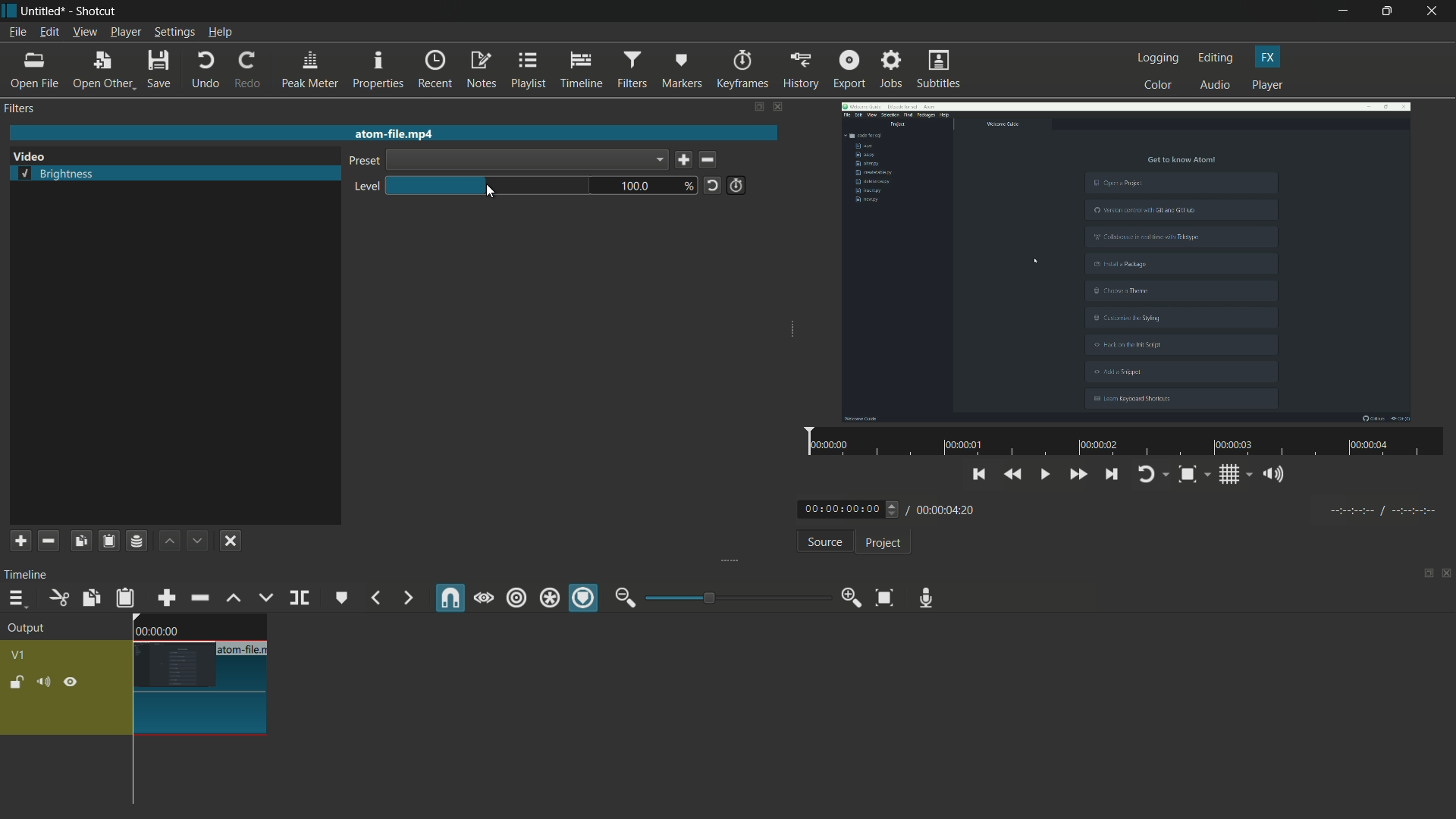 This screenshot has width=1456, height=819. What do you see at coordinates (582, 71) in the screenshot?
I see `timeline` at bounding box center [582, 71].